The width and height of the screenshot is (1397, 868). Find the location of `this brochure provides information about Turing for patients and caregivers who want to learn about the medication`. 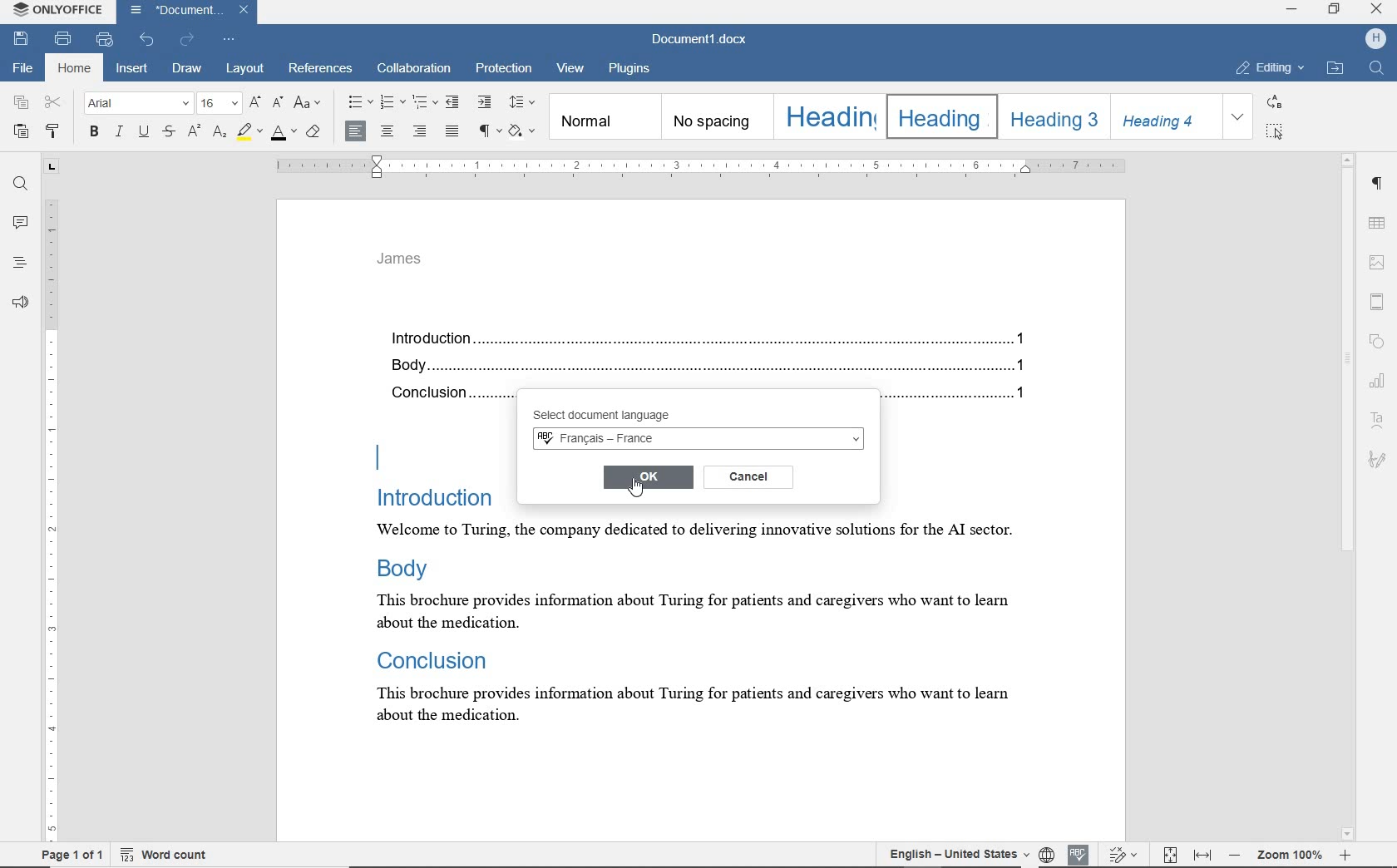

this brochure provides information about Turing for patients and caregivers who want to learn about the medication is located at coordinates (705, 709).